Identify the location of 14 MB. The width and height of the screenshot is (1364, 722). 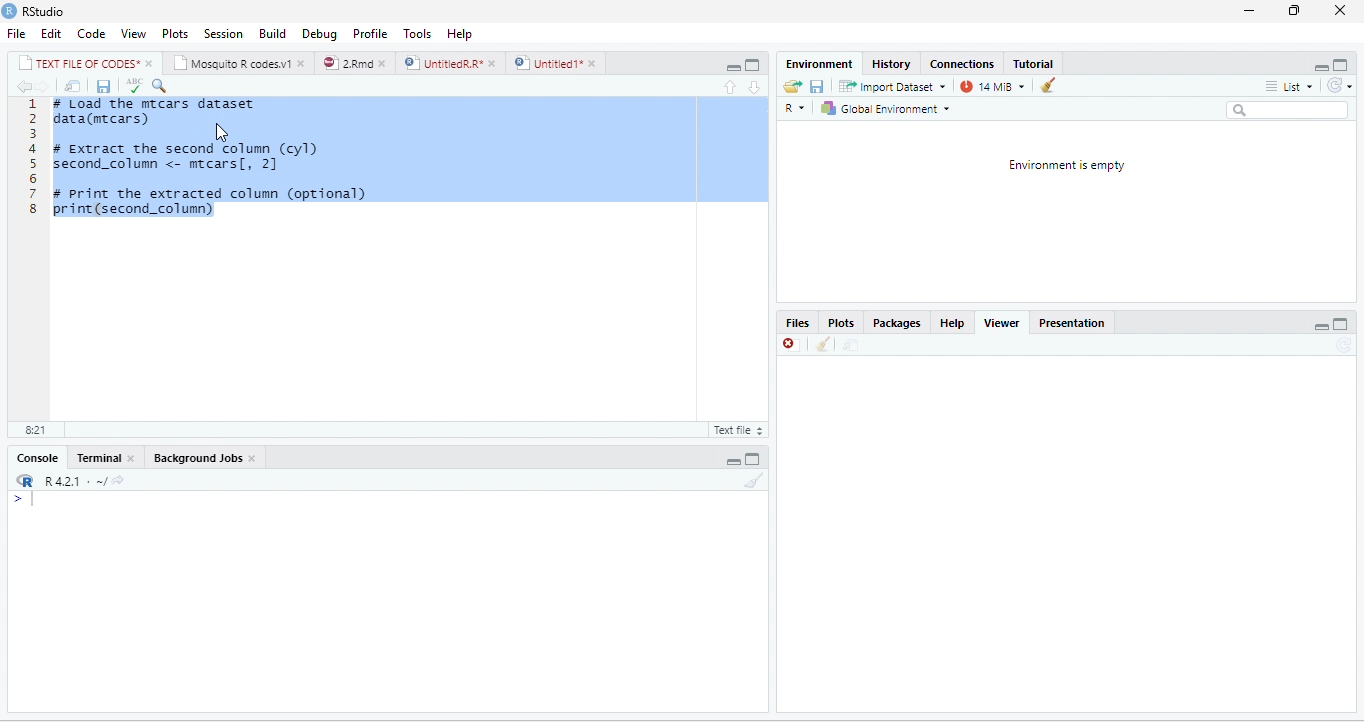
(993, 86).